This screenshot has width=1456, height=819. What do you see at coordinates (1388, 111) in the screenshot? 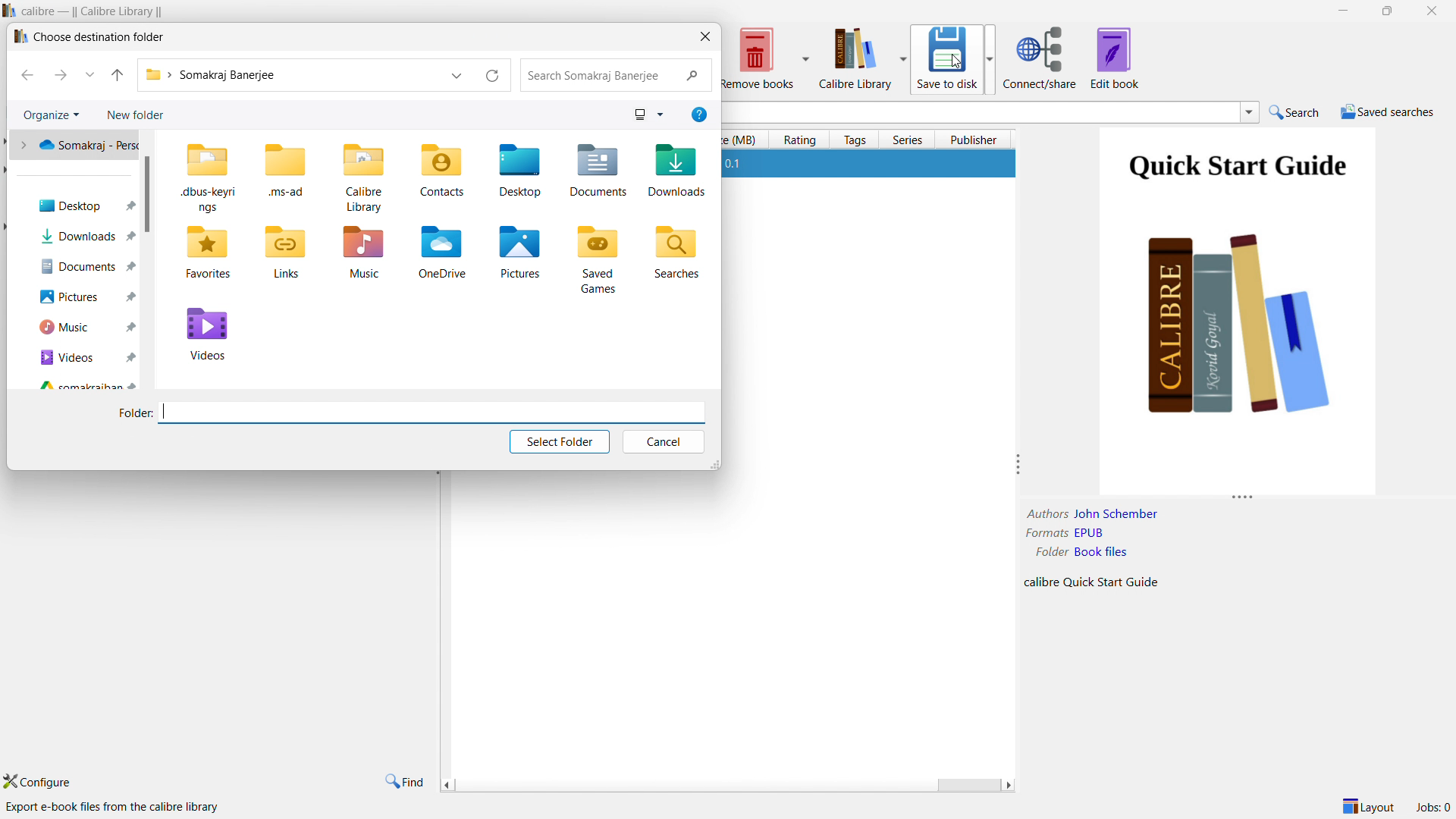
I see `saved searches` at bounding box center [1388, 111].